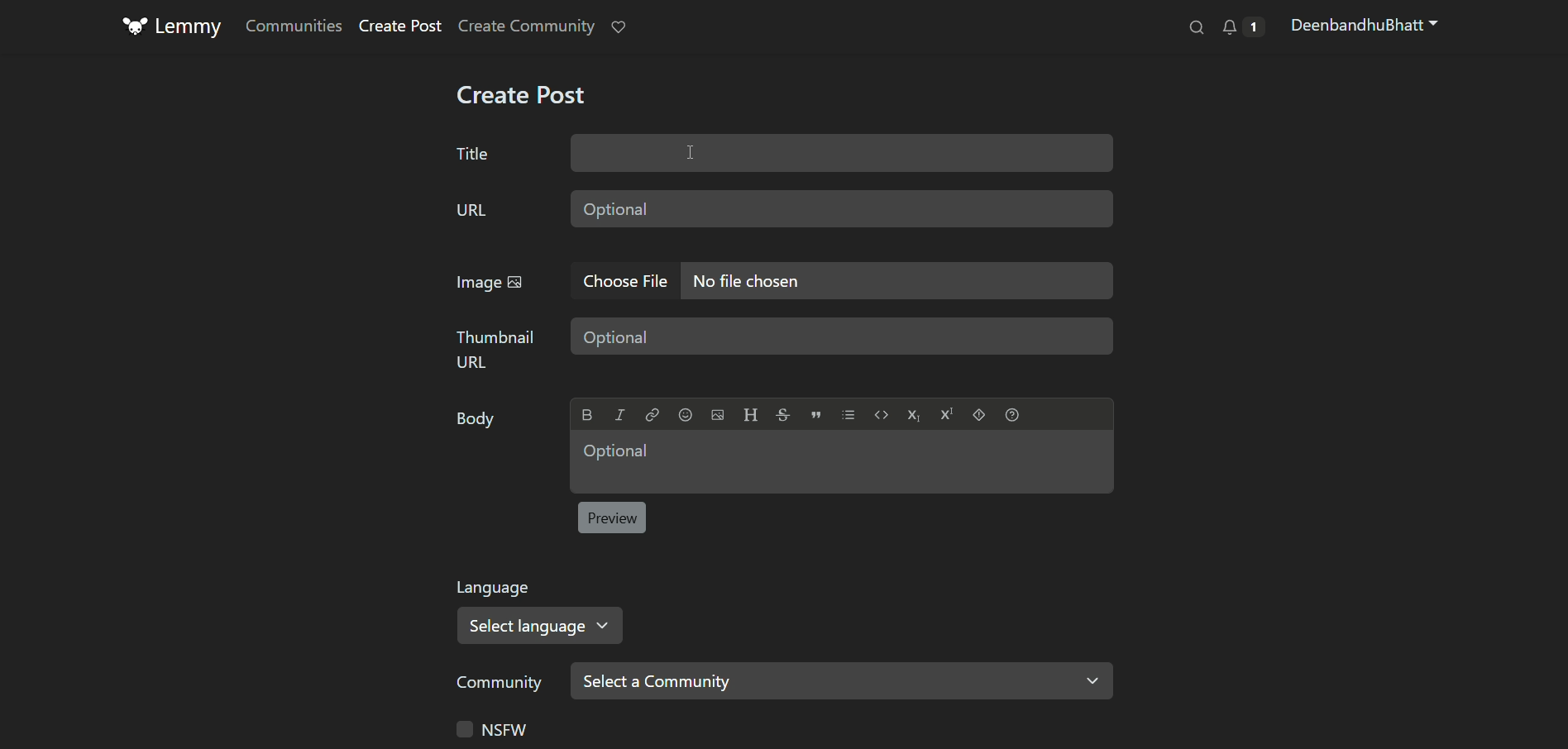 Image resolution: width=1568 pixels, height=749 pixels. Describe the element at coordinates (620, 28) in the screenshot. I see `notification` at that location.